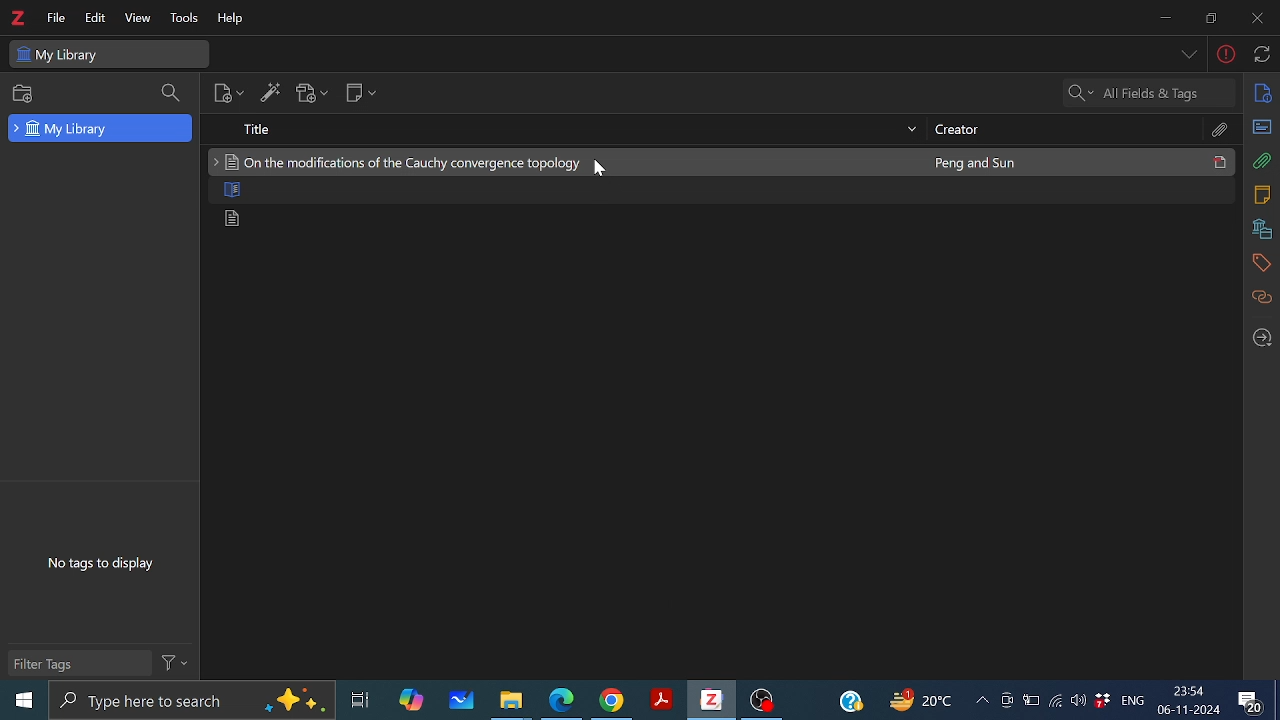 The width and height of the screenshot is (1280, 720). Describe the element at coordinates (361, 700) in the screenshot. I see `Task view` at that location.